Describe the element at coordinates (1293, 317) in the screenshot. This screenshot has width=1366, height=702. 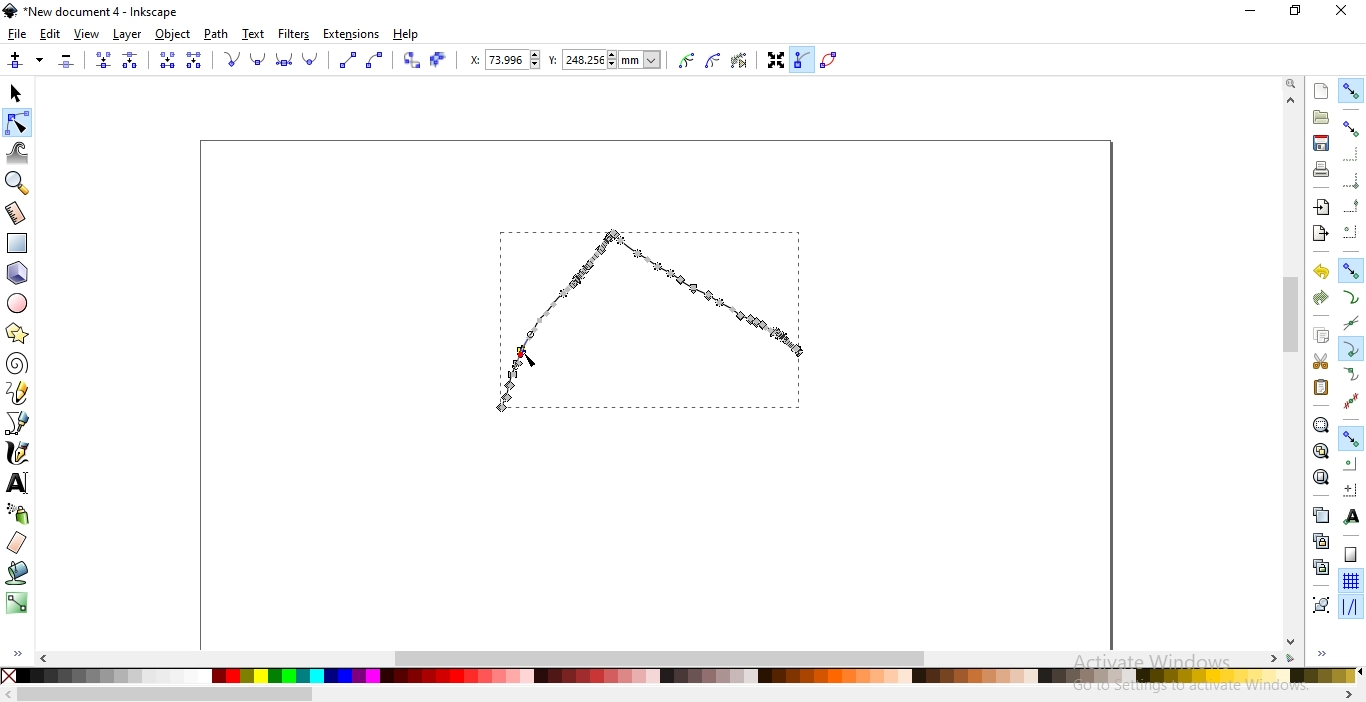
I see `scrollbar` at that location.